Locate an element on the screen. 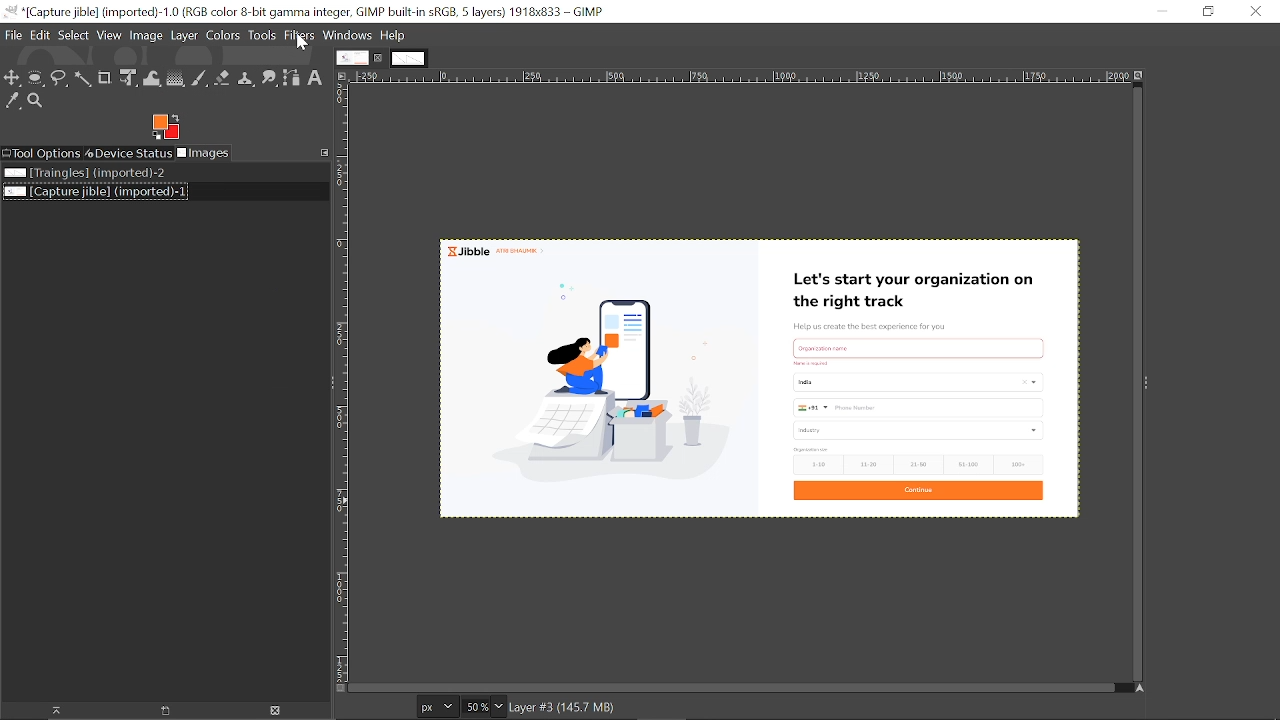 This screenshot has height=720, width=1280. Vertical label is located at coordinates (341, 383).